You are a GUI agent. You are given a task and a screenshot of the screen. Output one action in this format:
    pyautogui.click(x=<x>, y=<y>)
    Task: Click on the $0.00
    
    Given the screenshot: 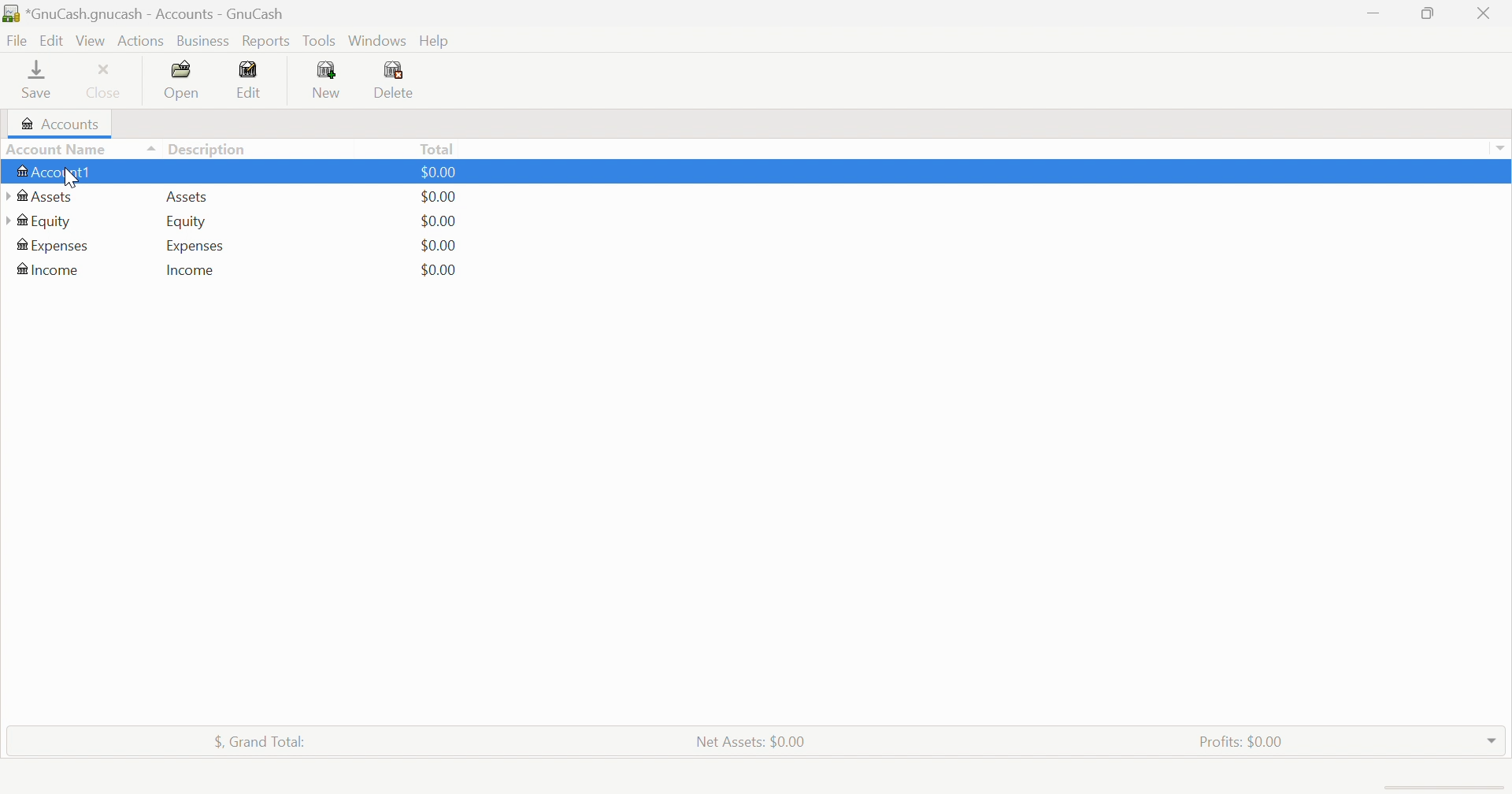 What is the action you would take?
    pyautogui.click(x=440, y=270)
    